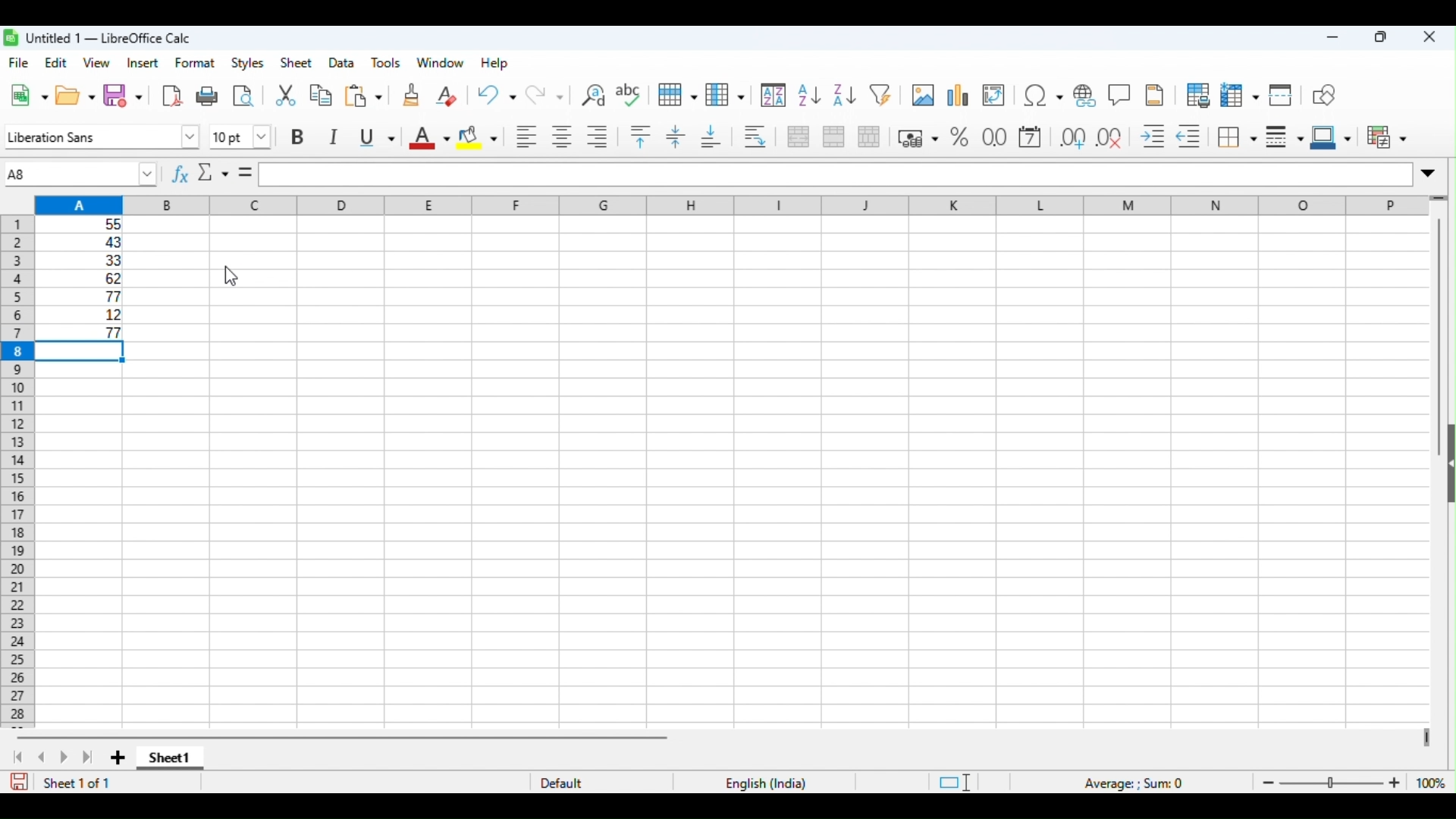 Image resolution: width=1456 pixels, height=819 pixels. What do you see at coordinates (798, 136) in the screenshot?
I see `merge and center` at bounding box center [798, 136].